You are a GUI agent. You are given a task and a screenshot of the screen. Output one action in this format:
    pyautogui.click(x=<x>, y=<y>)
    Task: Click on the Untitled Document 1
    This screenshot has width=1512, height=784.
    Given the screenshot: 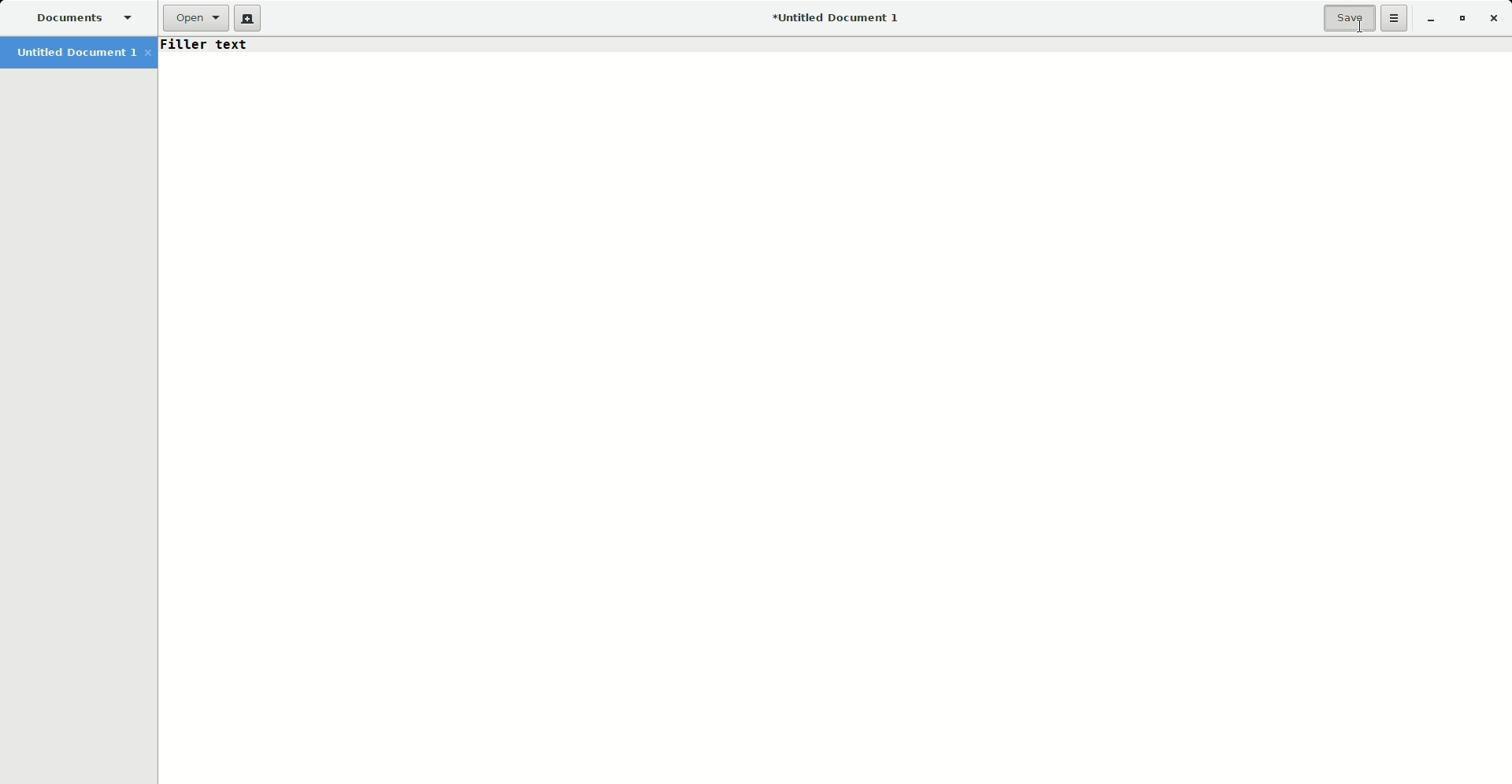 What is the action you would take?
    pyautogui.click(x=82, y=54)
    